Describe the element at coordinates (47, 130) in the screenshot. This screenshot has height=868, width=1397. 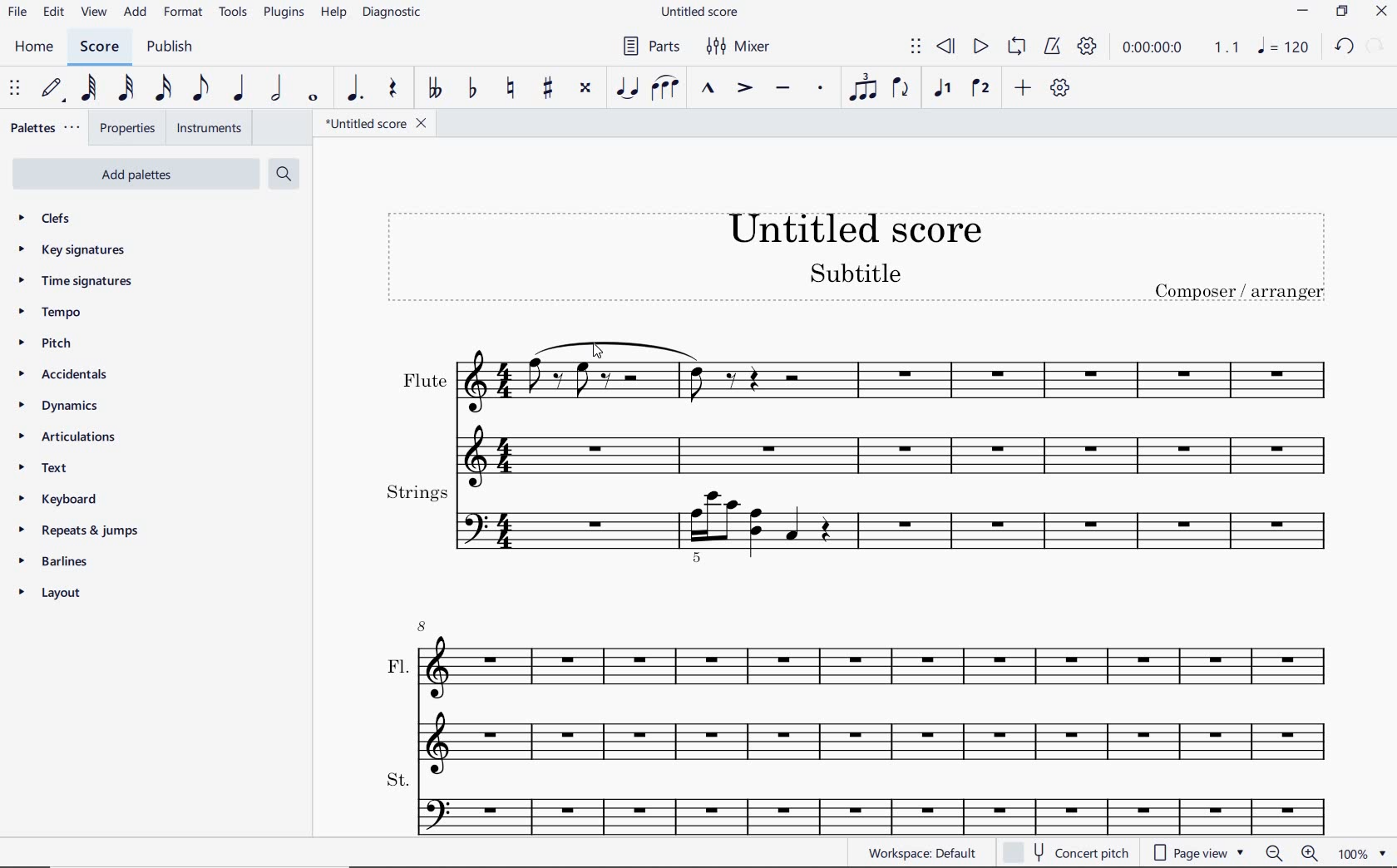
I see `PALETTES` at that location.